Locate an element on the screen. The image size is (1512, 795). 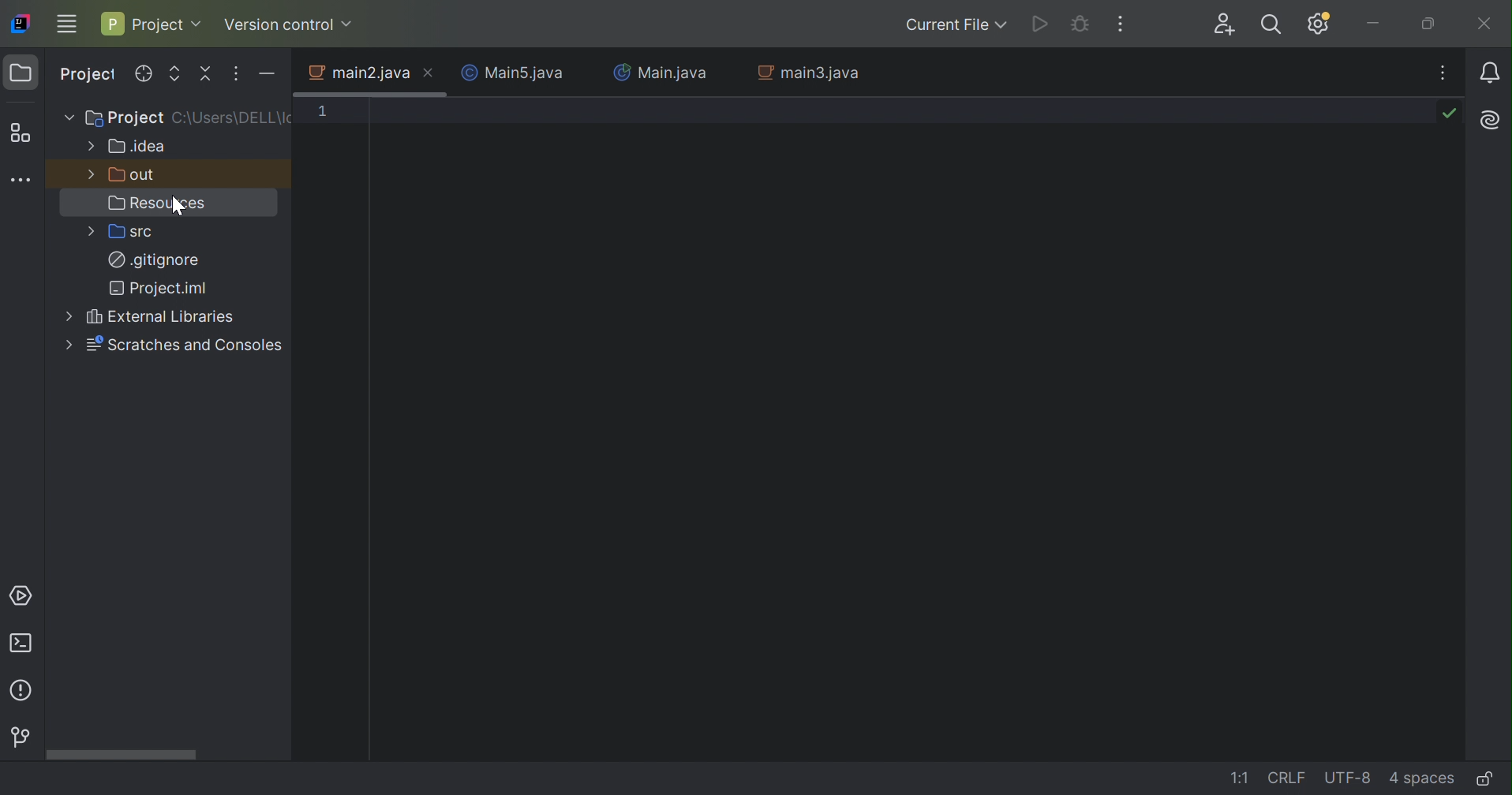
More is located at coordinates (68, 115).